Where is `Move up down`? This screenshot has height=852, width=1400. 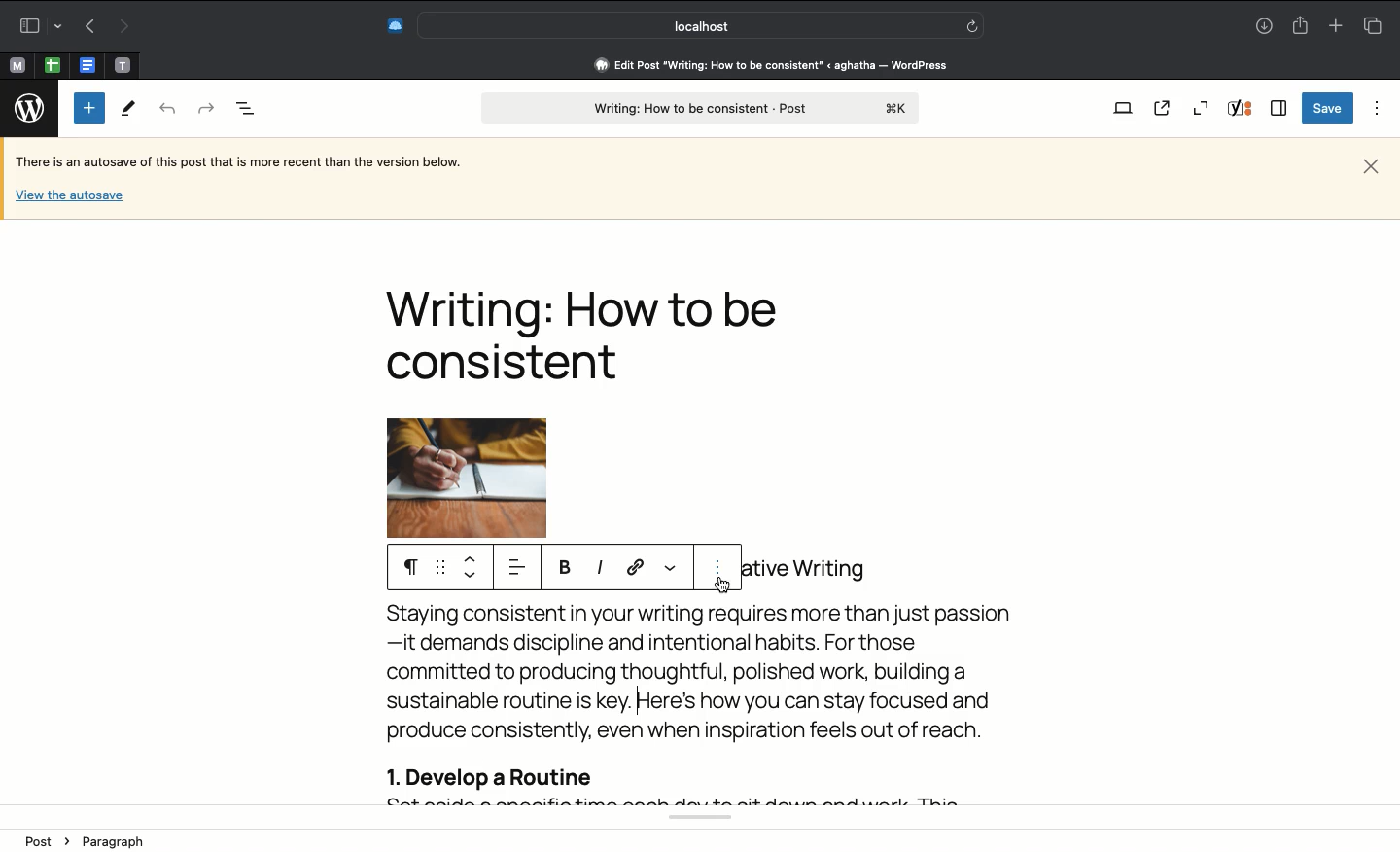
Move up down is located at coordinates (472, 569).